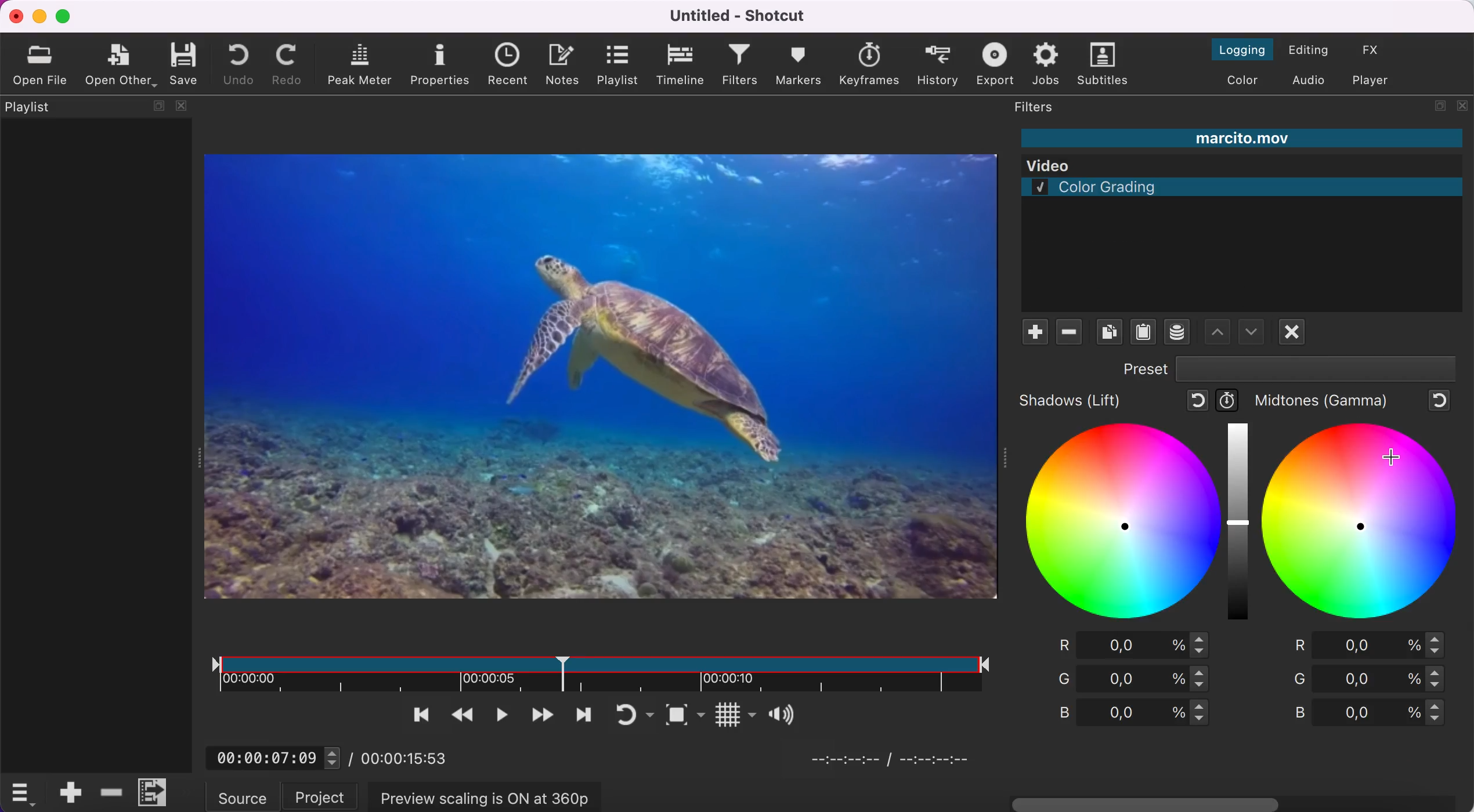 The width and height of the screenshot is (1474, 812). I want to click on midtones (gamma), so click(1322, 401).